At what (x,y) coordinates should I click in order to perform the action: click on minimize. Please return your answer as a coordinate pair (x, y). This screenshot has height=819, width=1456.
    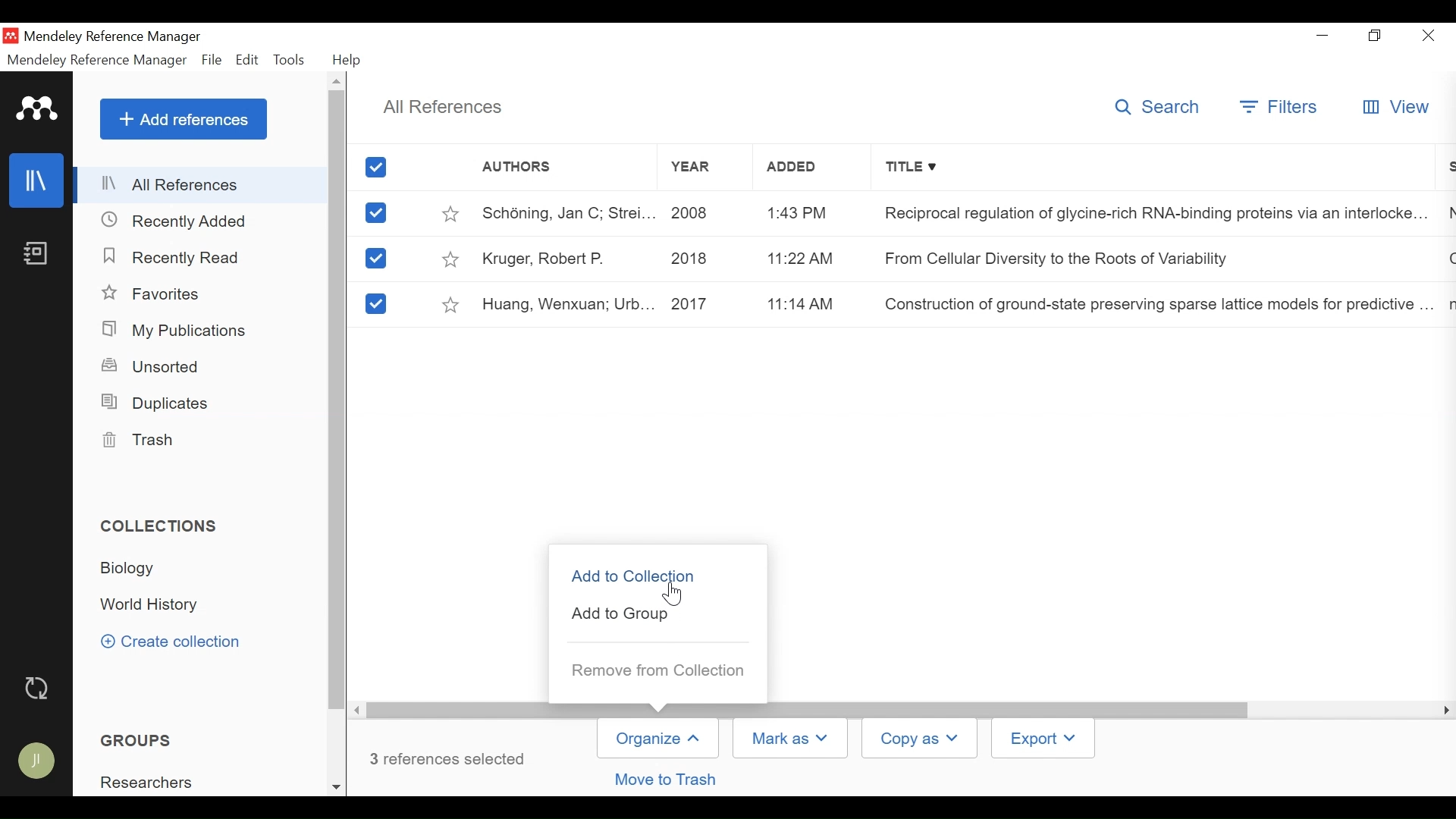
    Looking at the image, I should click on (1323, 35).